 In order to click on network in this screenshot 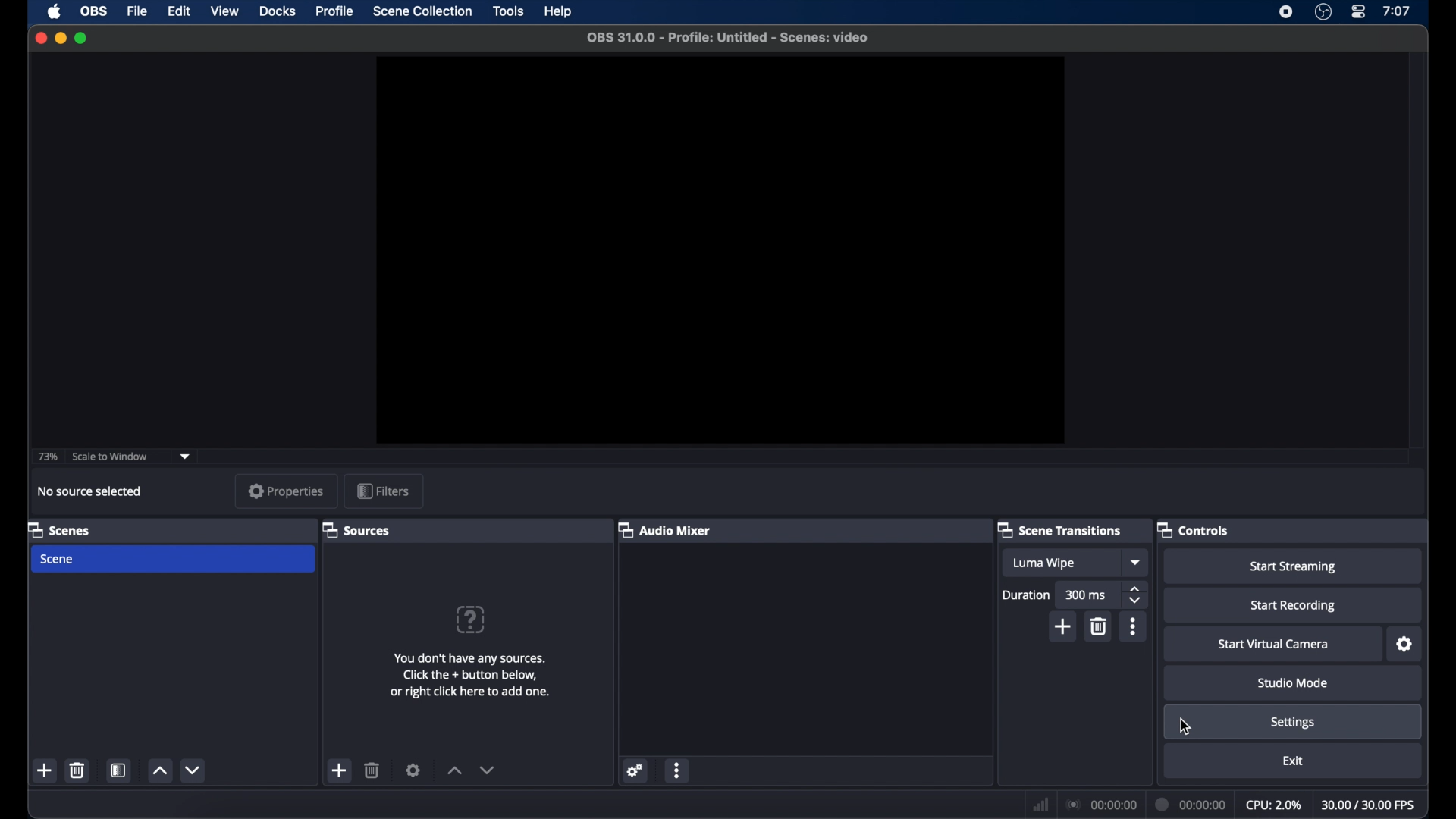, I will do `click(1041, 803)`.